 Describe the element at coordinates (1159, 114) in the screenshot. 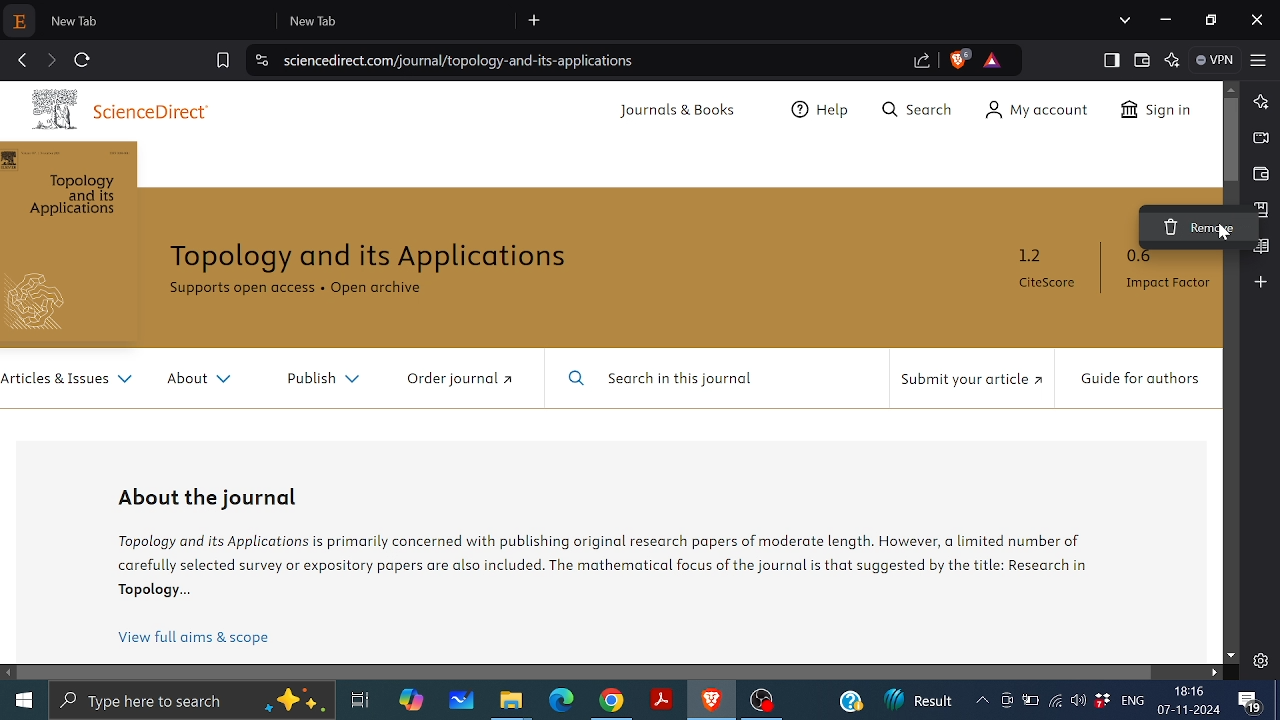

I see `Sign In` at that location.